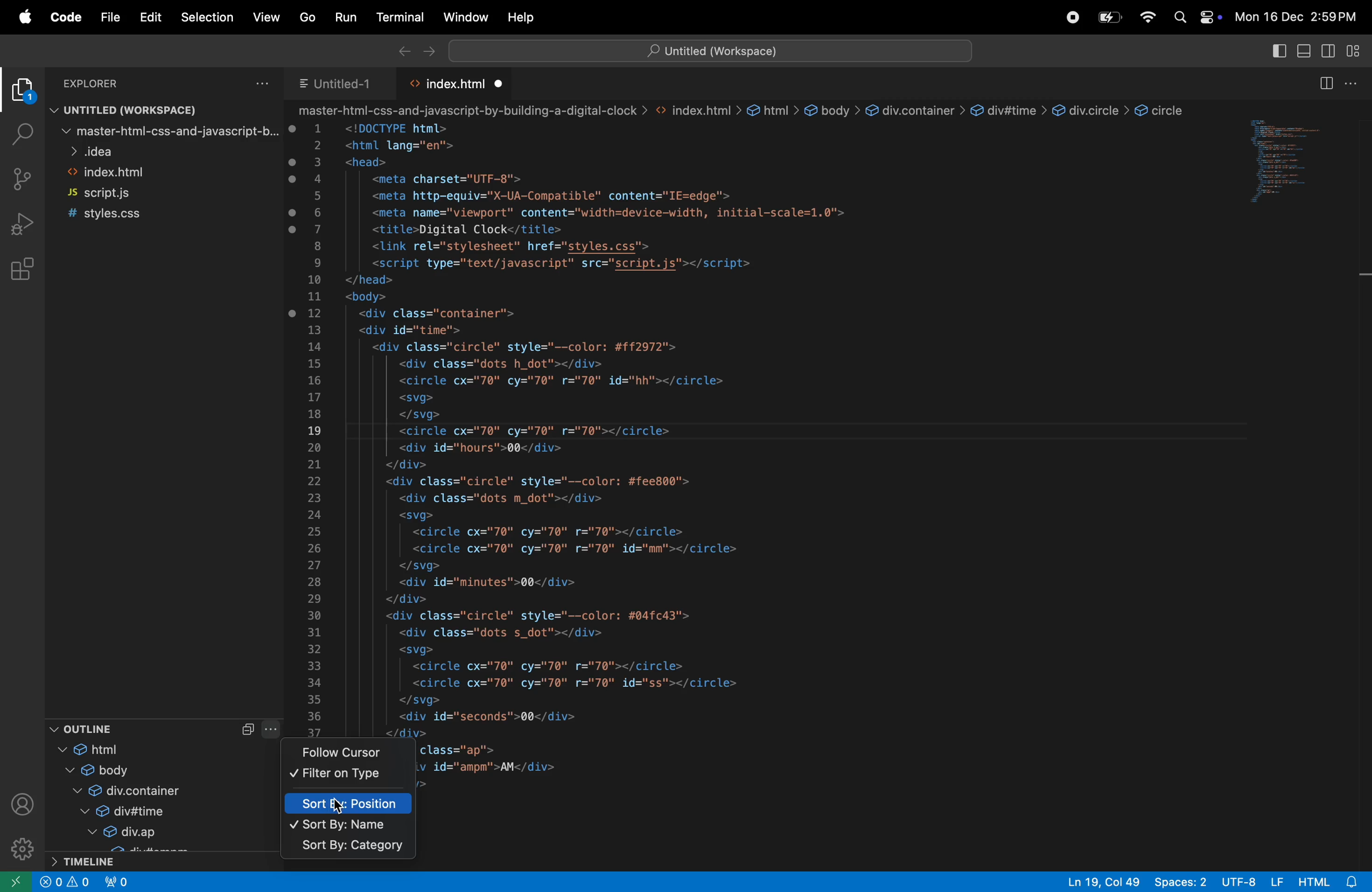 The width and height of the screenshot is (1372, 892). I want to click on untitled workspace, so click(152, 108).